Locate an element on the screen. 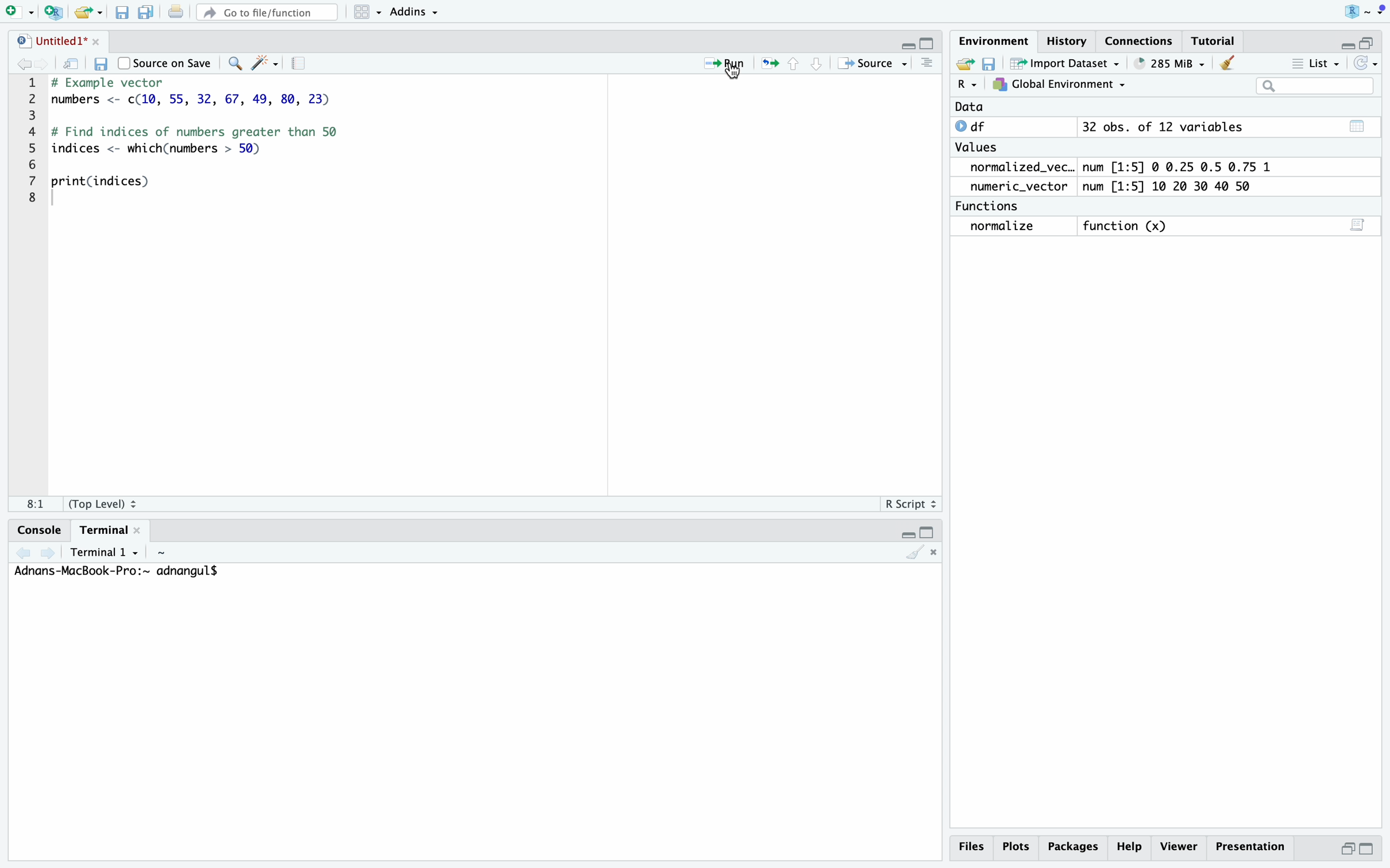  R is located at coordinates (1357, 10).